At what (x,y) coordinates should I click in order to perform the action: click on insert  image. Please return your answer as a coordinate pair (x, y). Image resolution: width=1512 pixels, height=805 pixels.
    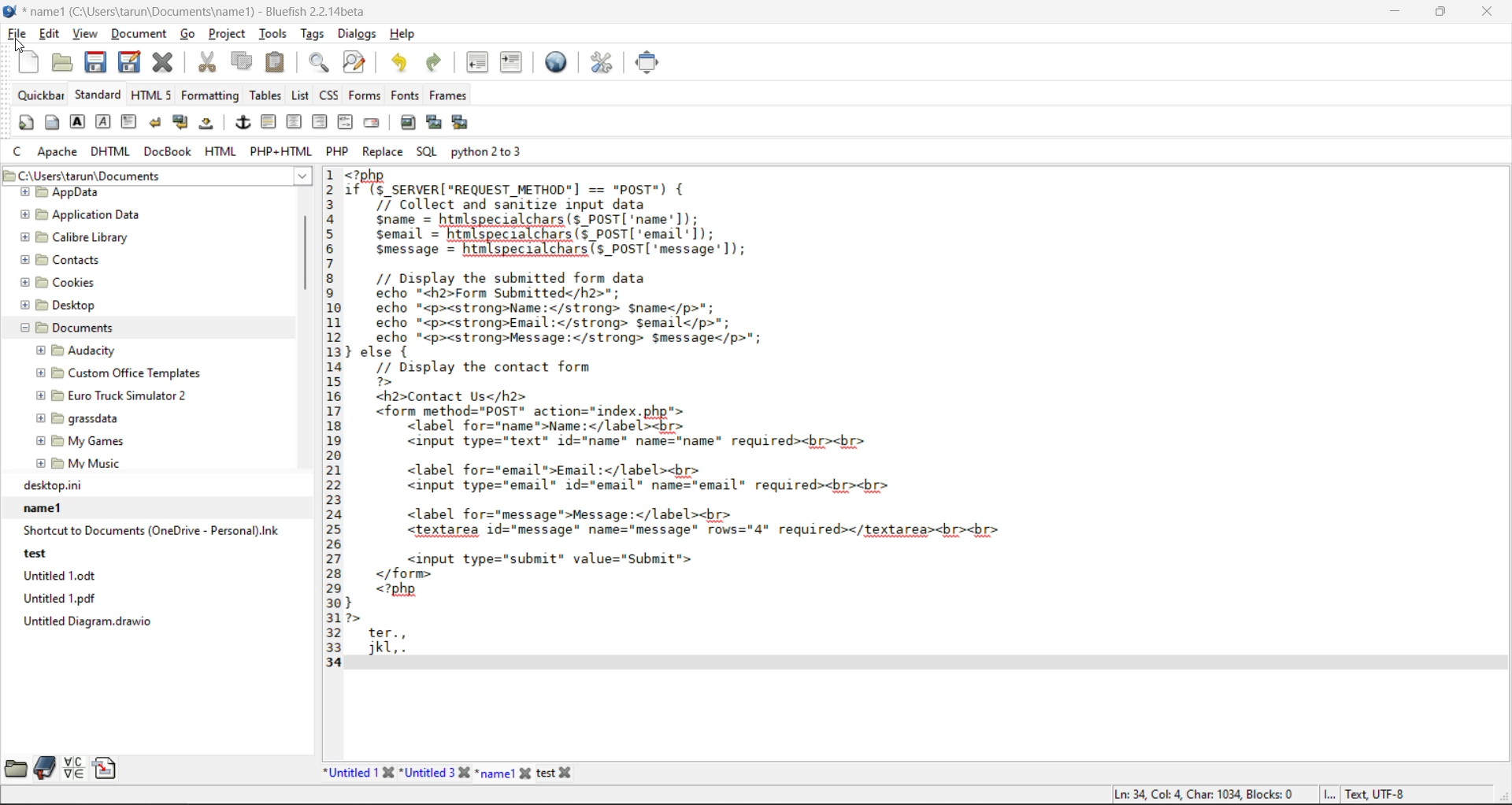
    Looking at the image, I should click on (409, 121).